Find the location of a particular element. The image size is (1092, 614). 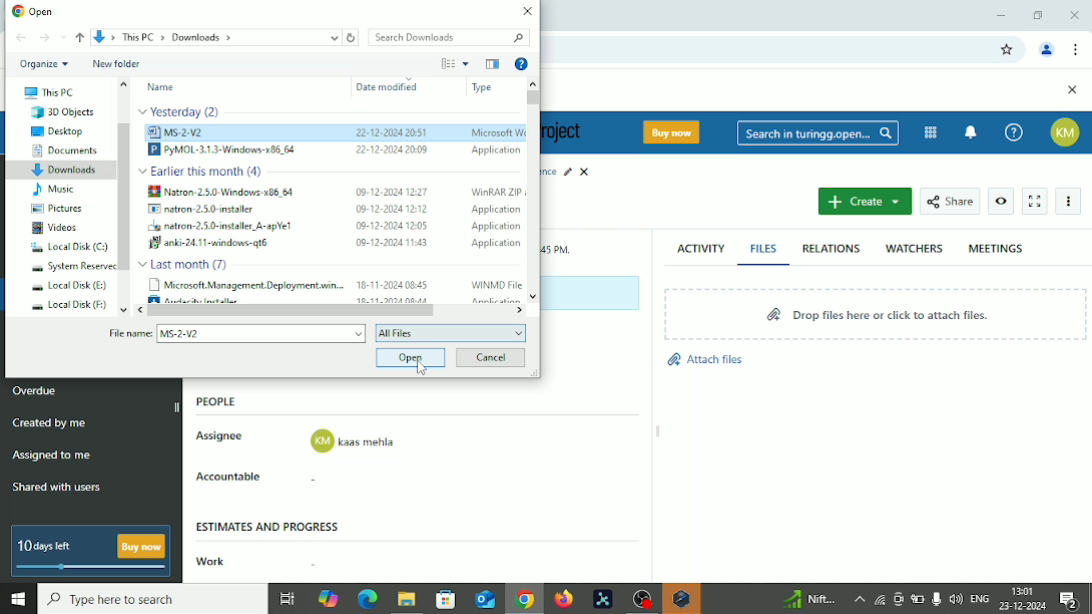

More is located at coordinates (858, 599).